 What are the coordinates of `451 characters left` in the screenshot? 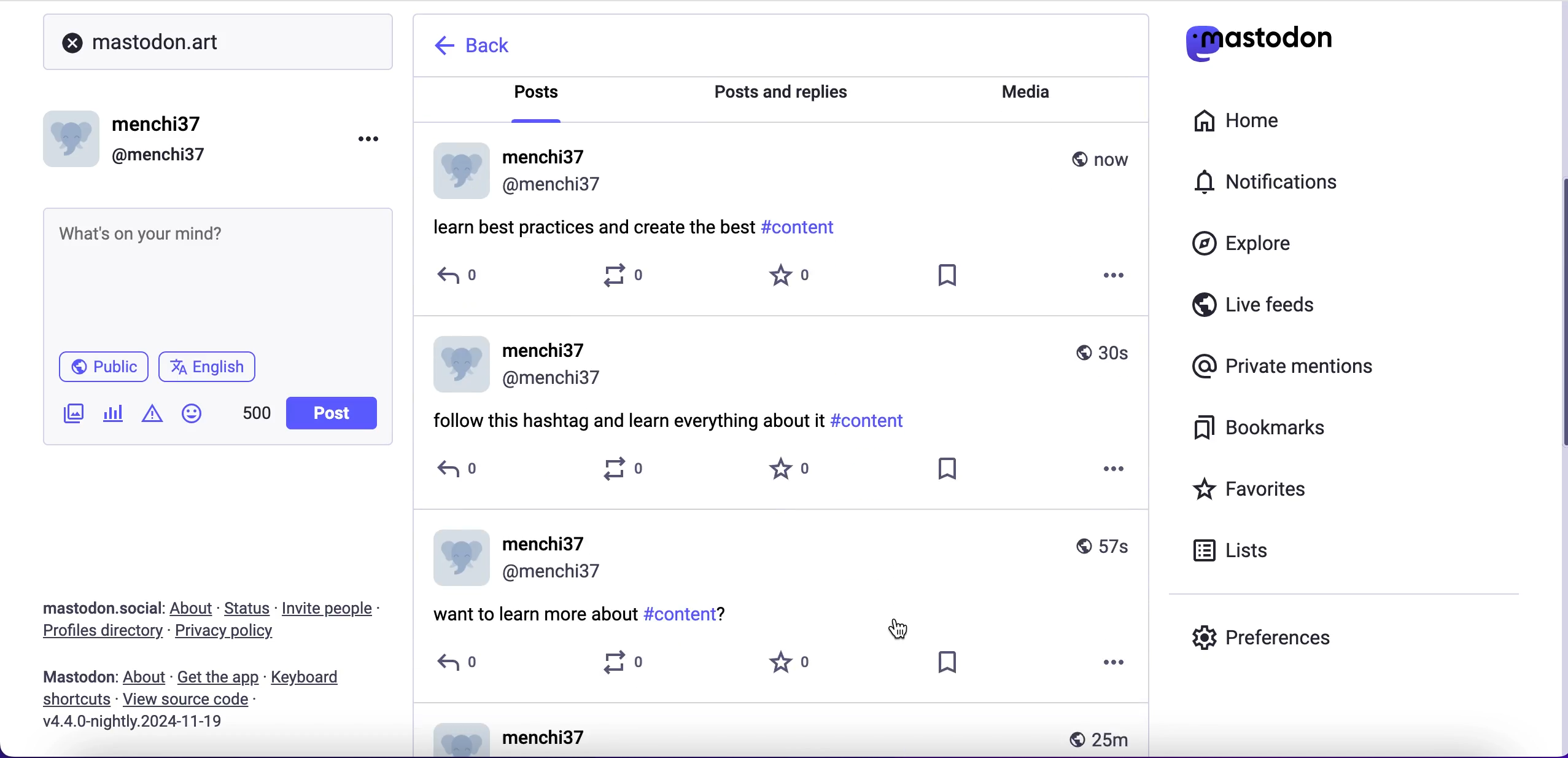 It's located at (257, 417).